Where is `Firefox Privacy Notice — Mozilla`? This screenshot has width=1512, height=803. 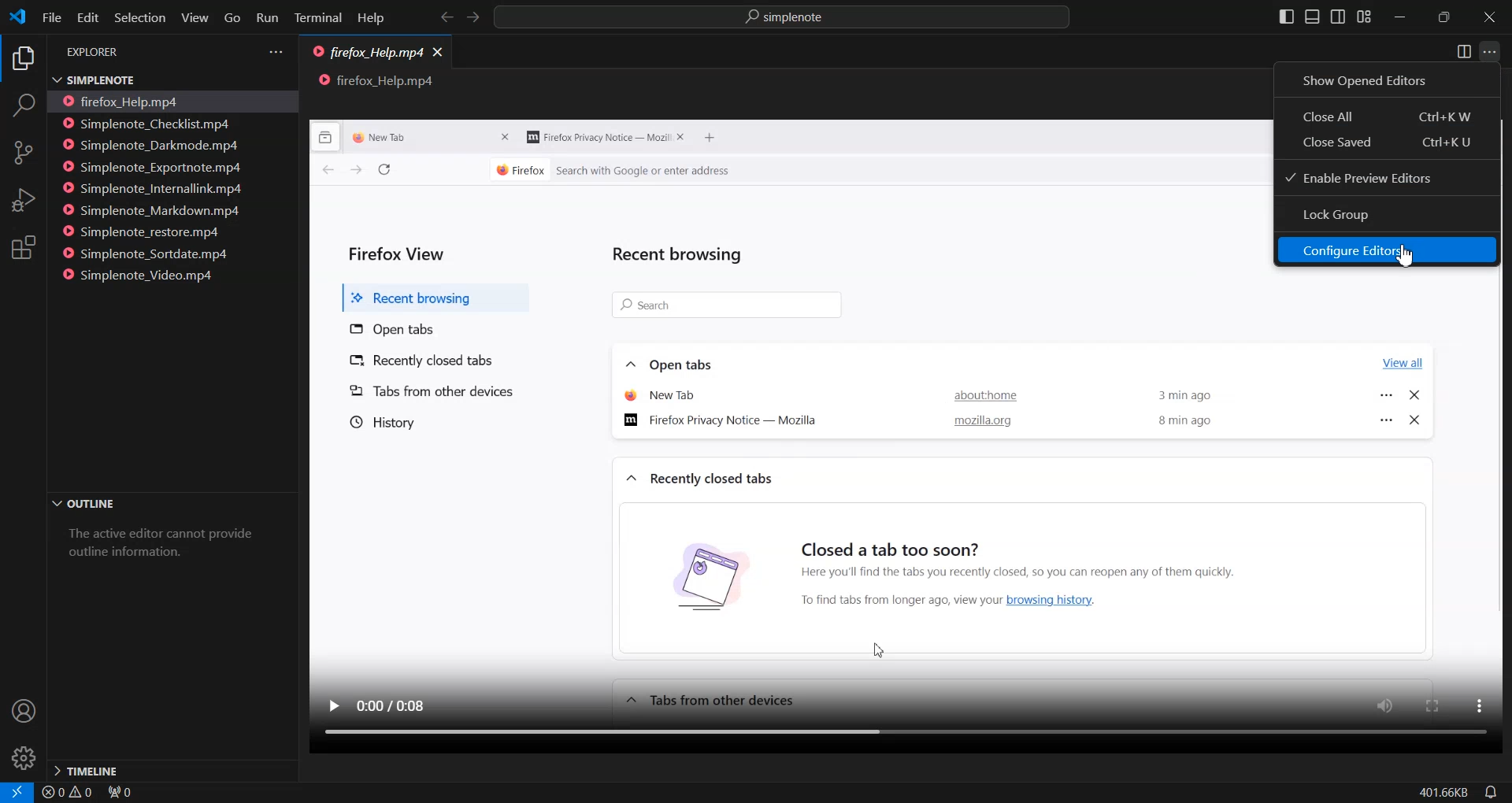 Firefox Privacy Notice — Mozilla is located at coordinates (727, 422).